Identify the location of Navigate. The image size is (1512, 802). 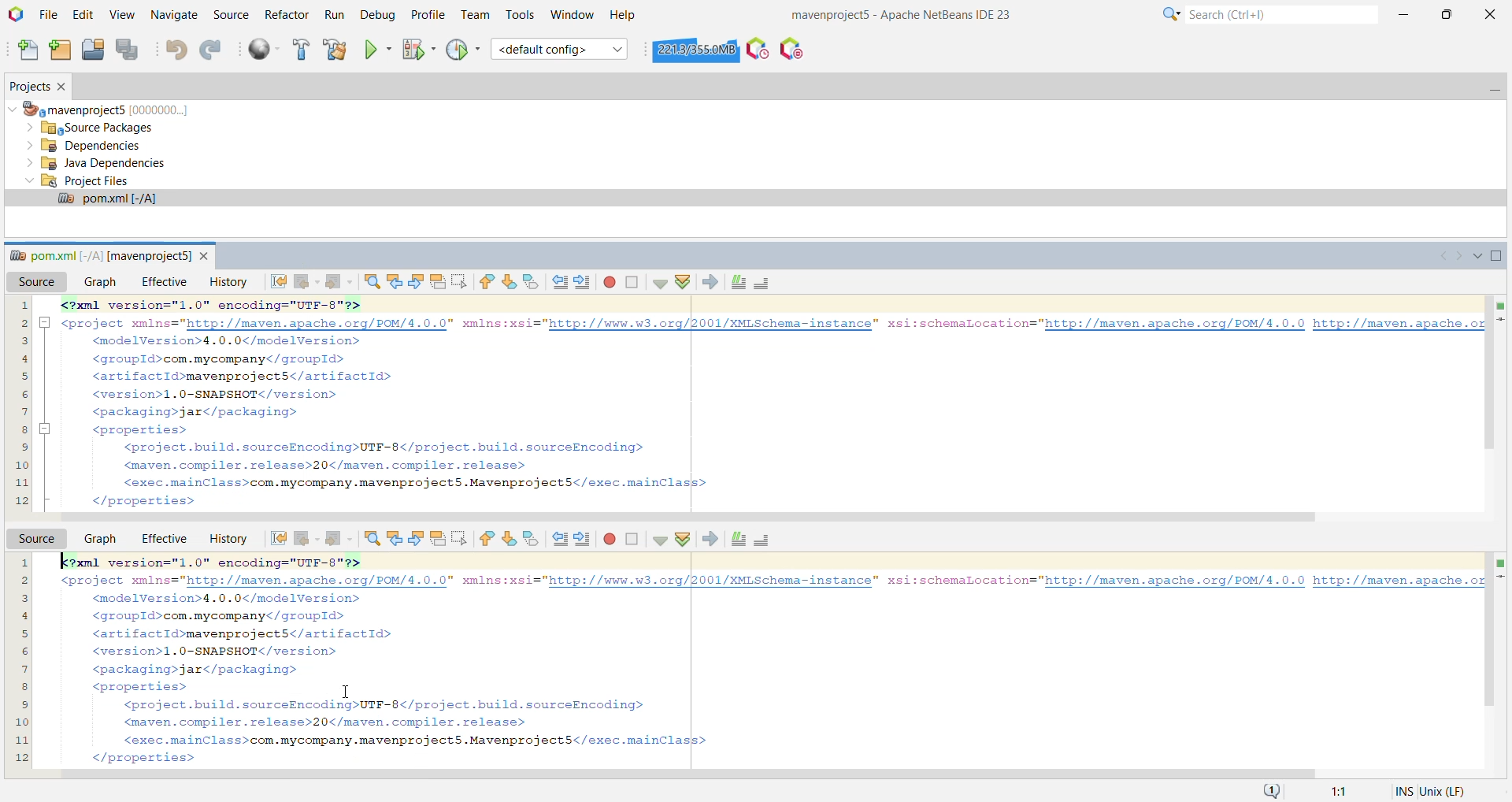
(175, 16).